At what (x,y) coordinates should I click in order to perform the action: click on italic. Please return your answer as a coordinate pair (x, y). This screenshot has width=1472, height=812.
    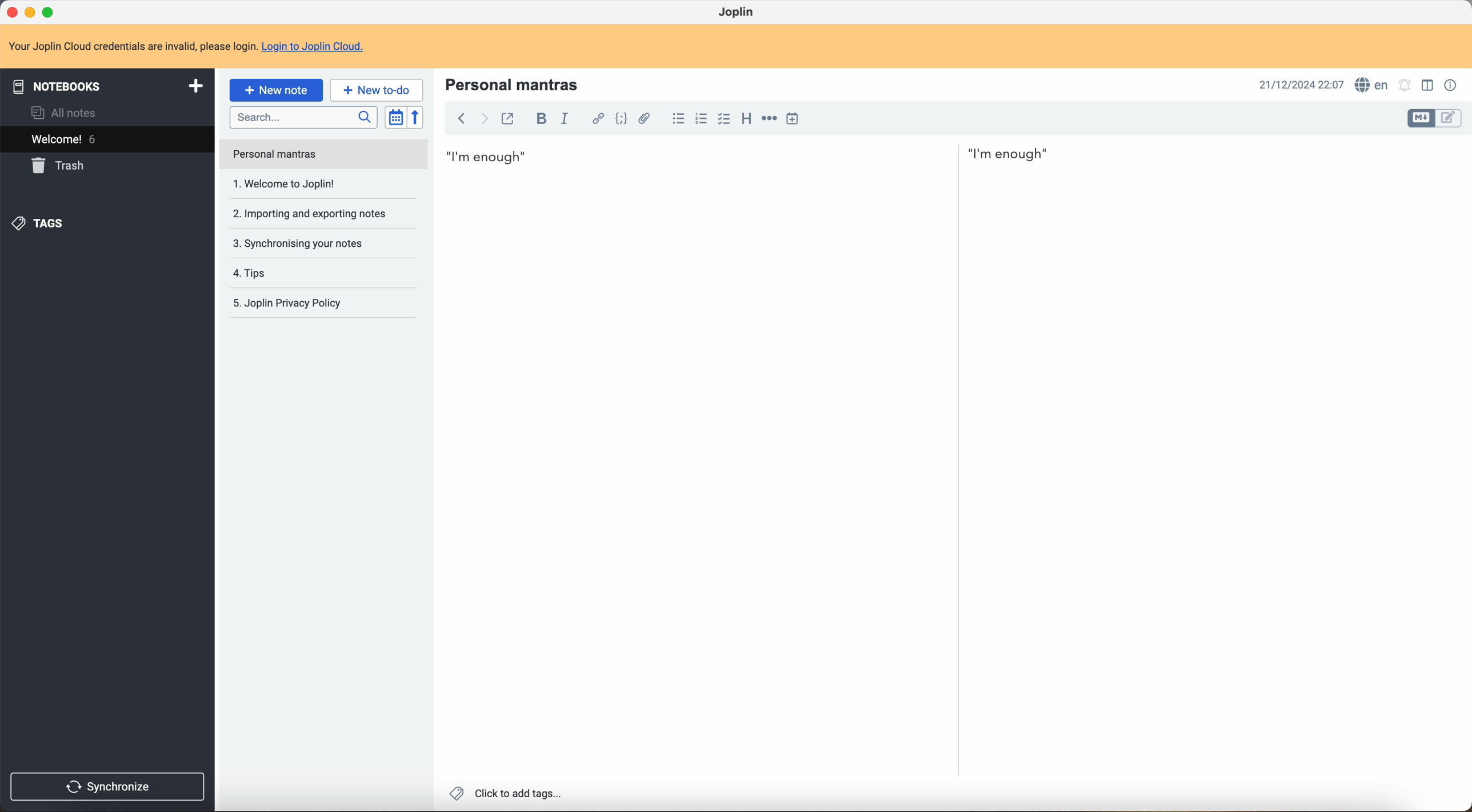
    Looking at the image, I should click on (567, 120).